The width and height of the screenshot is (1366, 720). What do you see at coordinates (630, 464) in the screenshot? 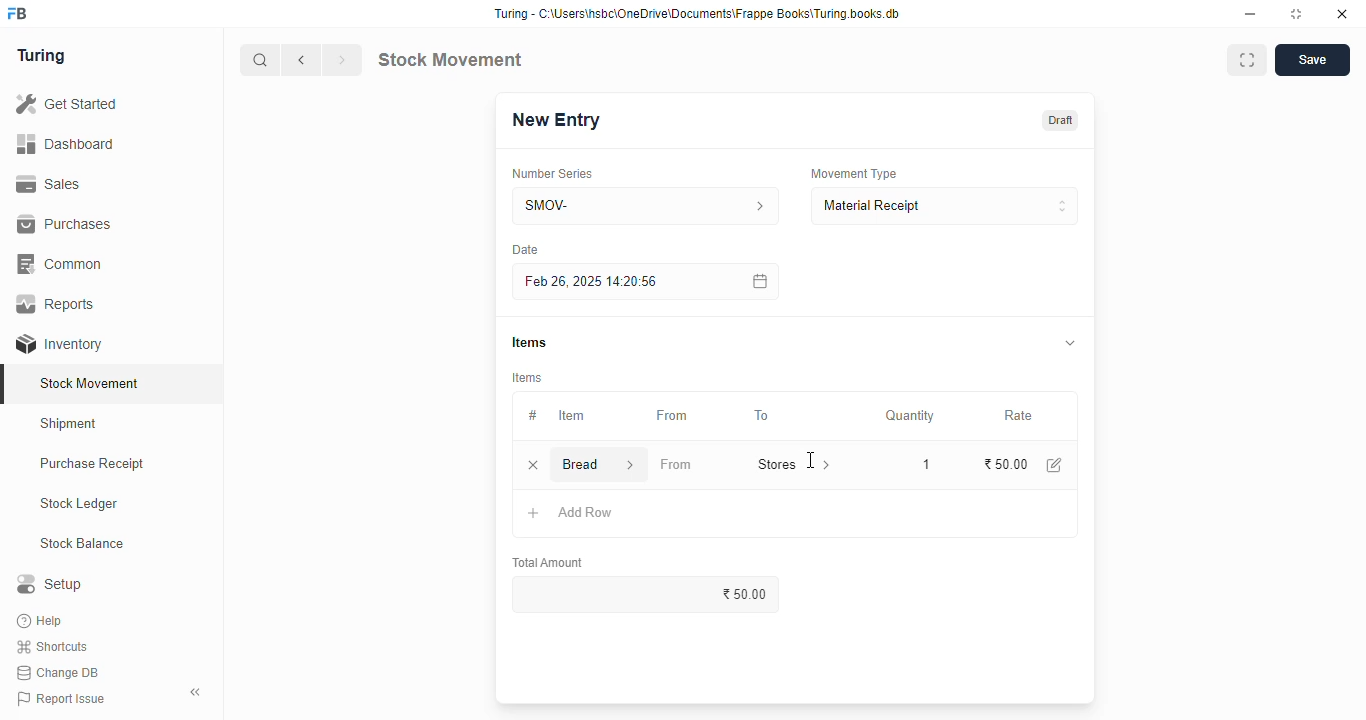
I see `item information` at bounding box center [630, 464].